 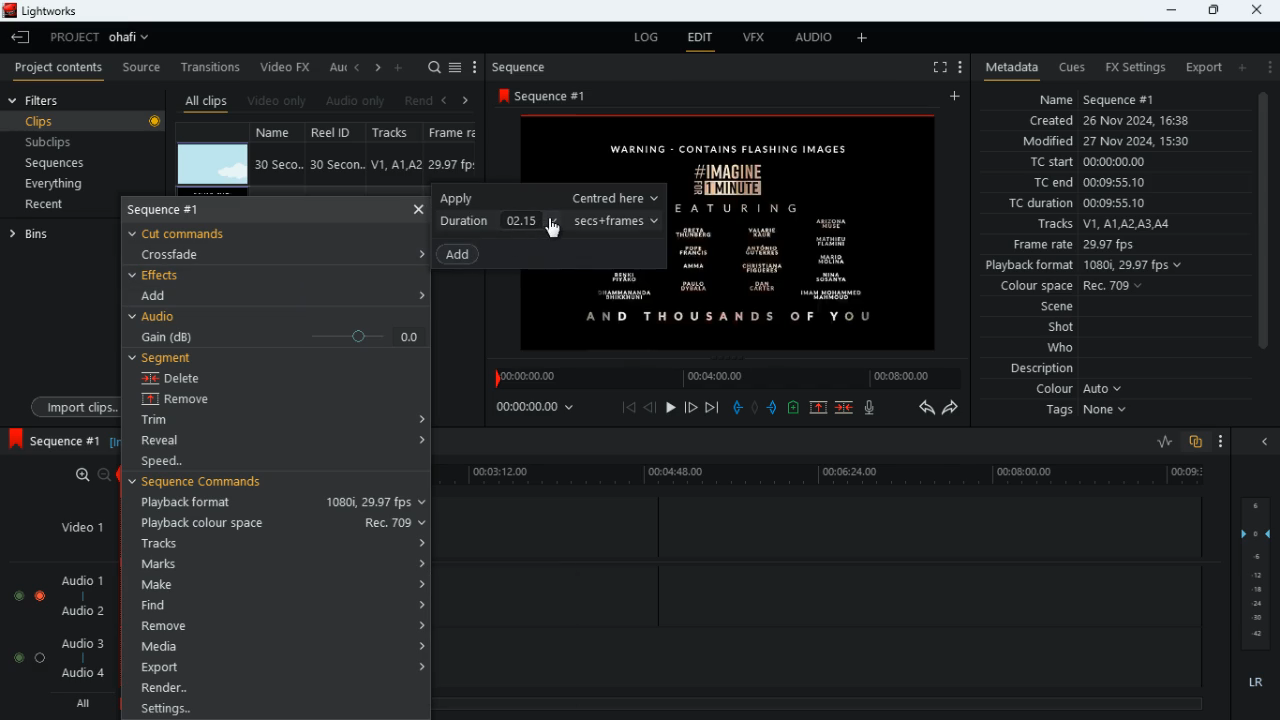 I want to click on render, so click(x=281, y=688).